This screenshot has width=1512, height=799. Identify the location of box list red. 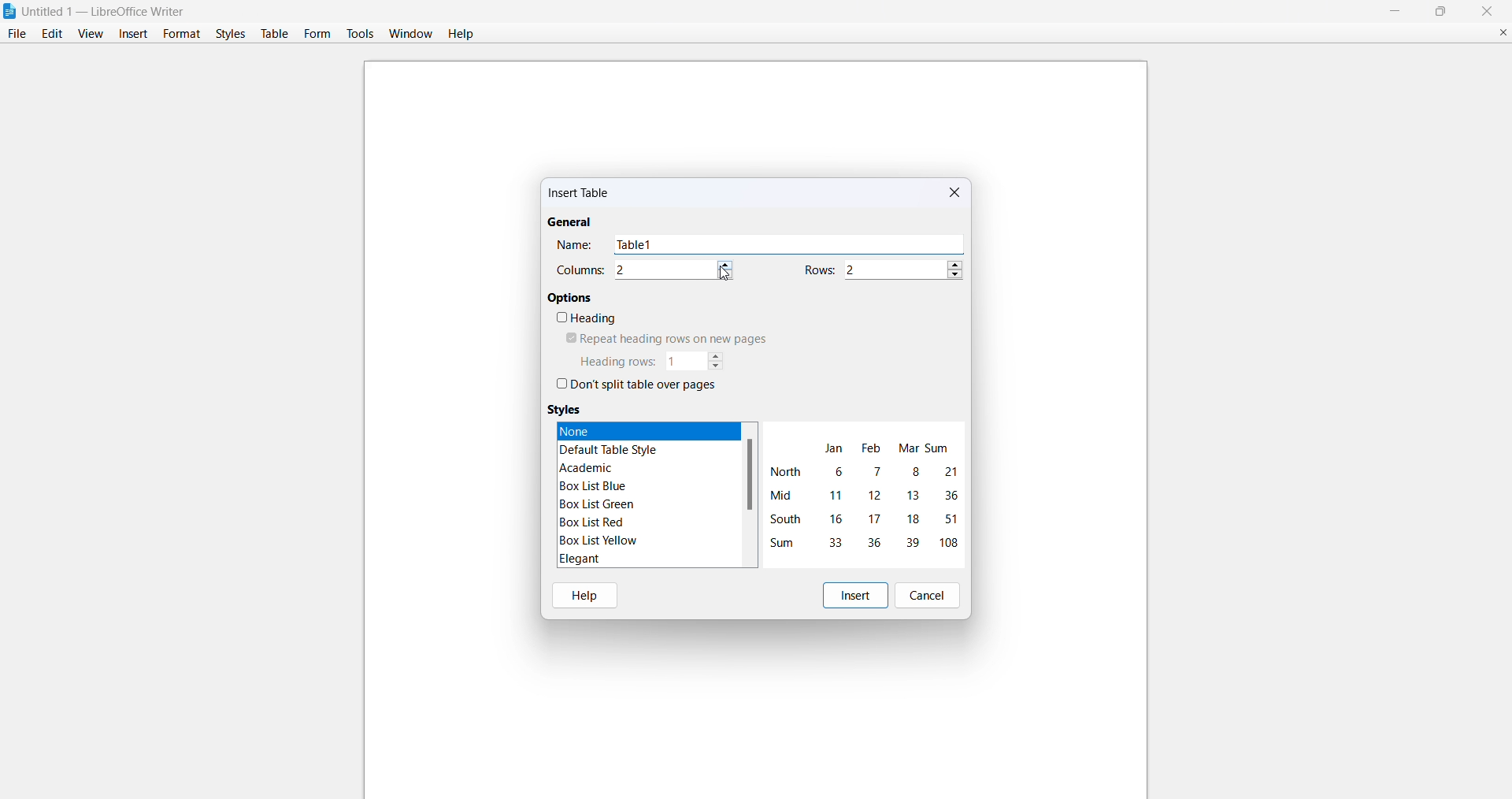
(592, 522).